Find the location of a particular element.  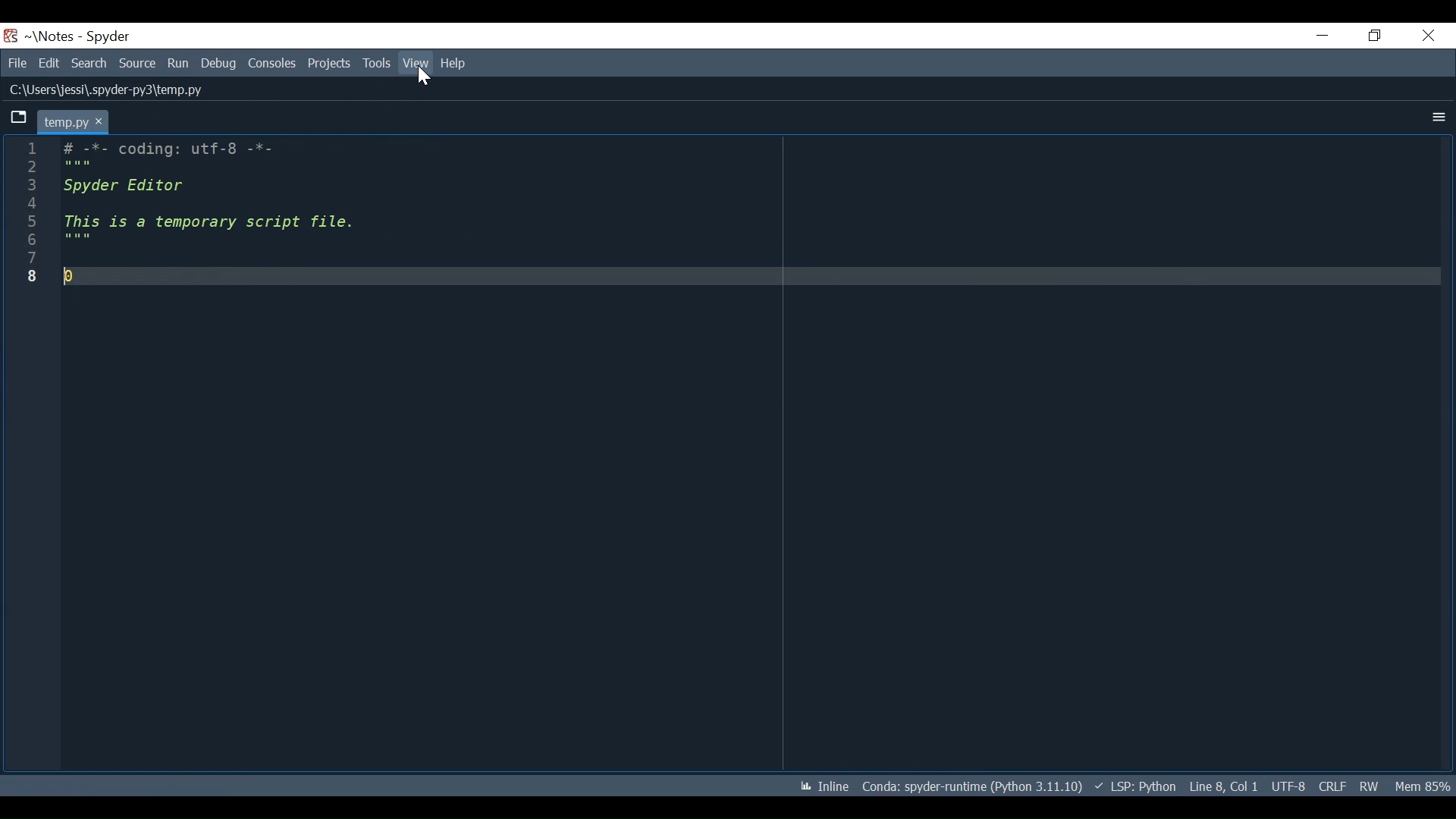

Edit is located at coordinates (49, 63).